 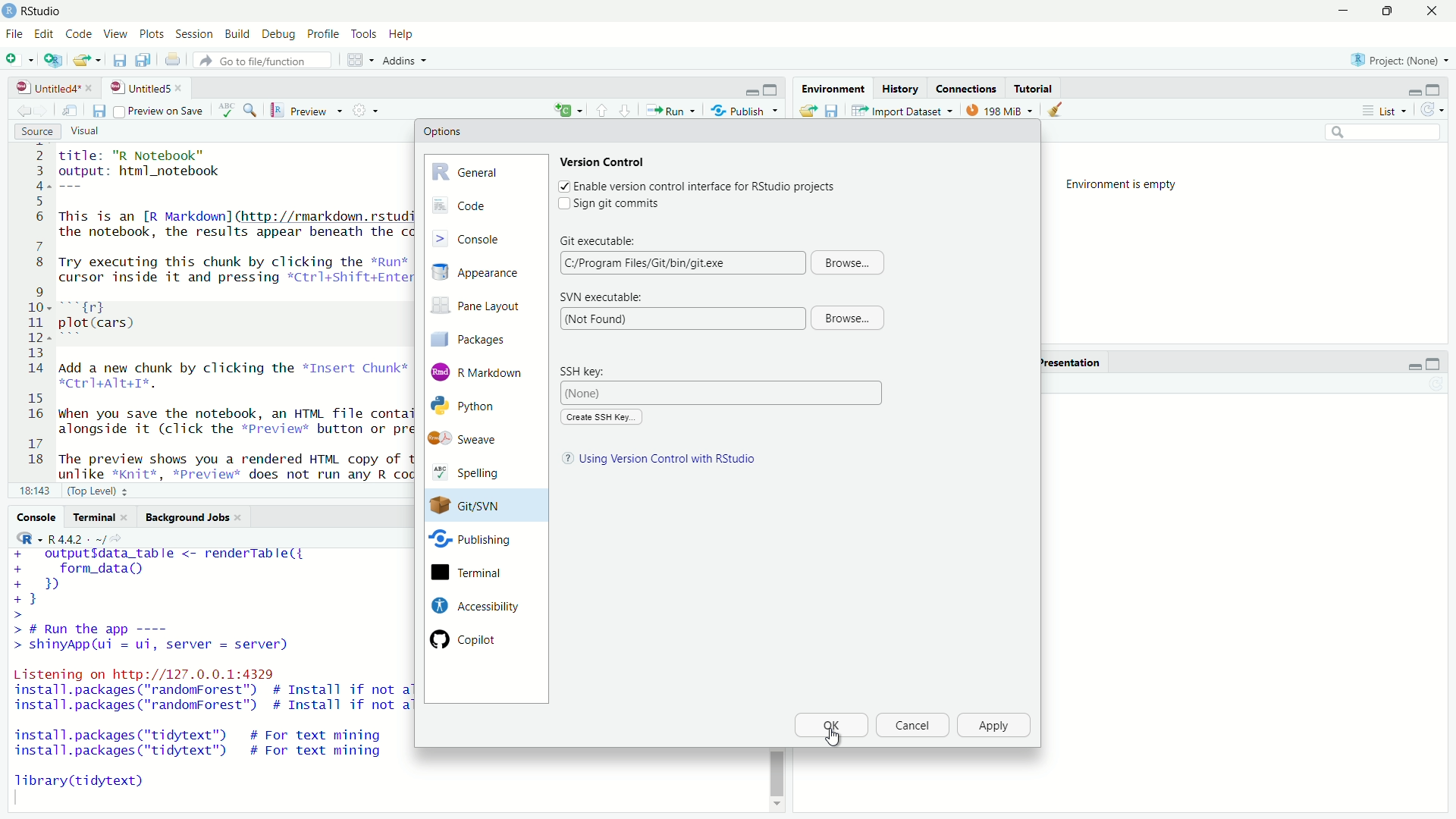 I want to click on Preview, so click(x=307, y=111).